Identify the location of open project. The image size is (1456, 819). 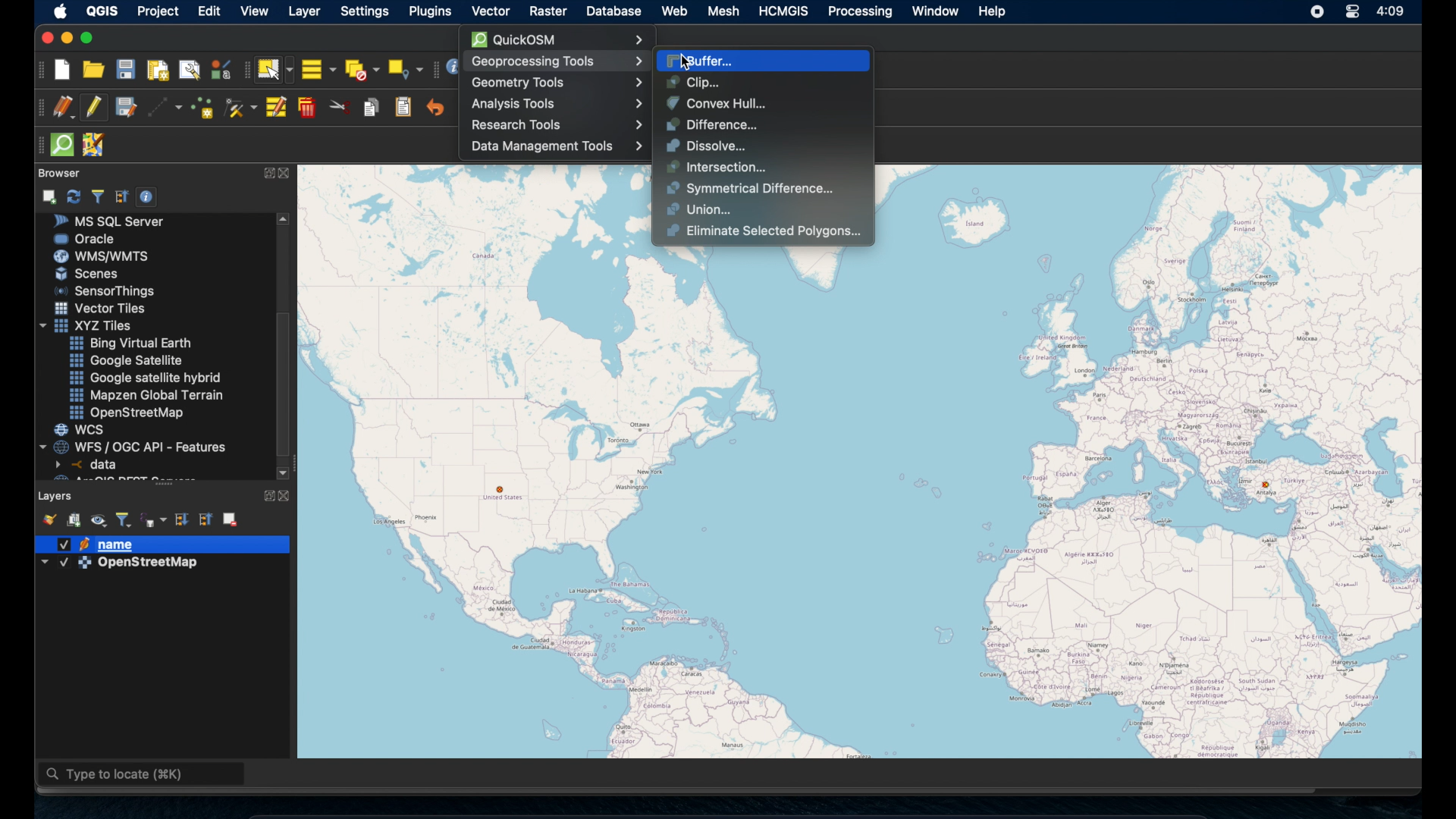
(94, 71).